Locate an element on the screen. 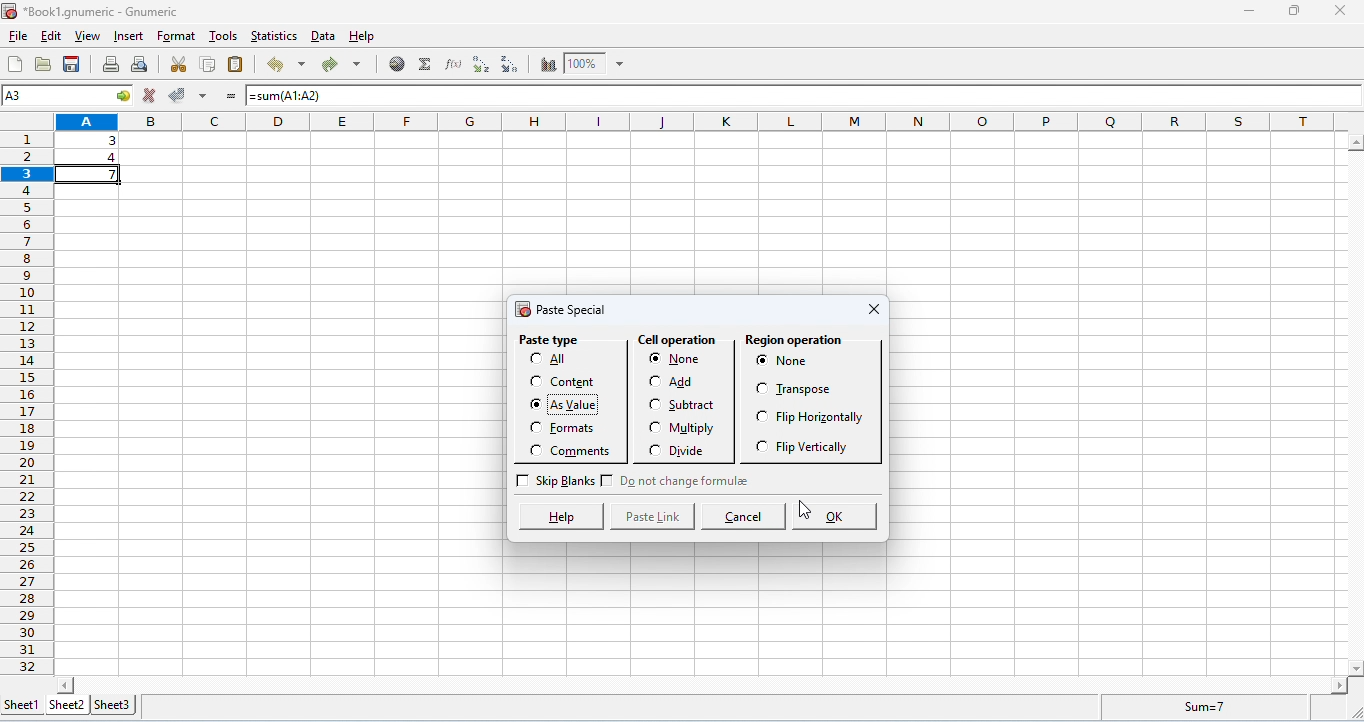 Image resolution: width=1364 pixels, height=722 pixels. format is located at coordinates (177, 37).